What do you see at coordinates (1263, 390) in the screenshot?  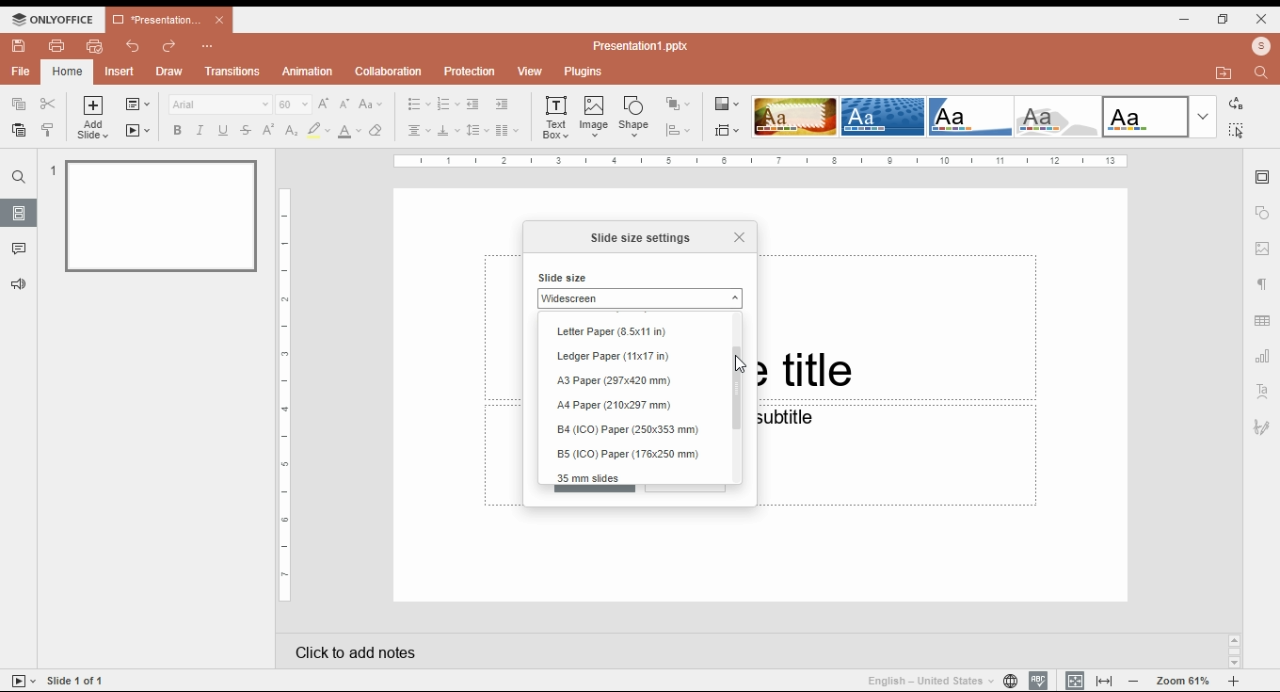 I see `text art settings` at bounding box center [1263, 390].